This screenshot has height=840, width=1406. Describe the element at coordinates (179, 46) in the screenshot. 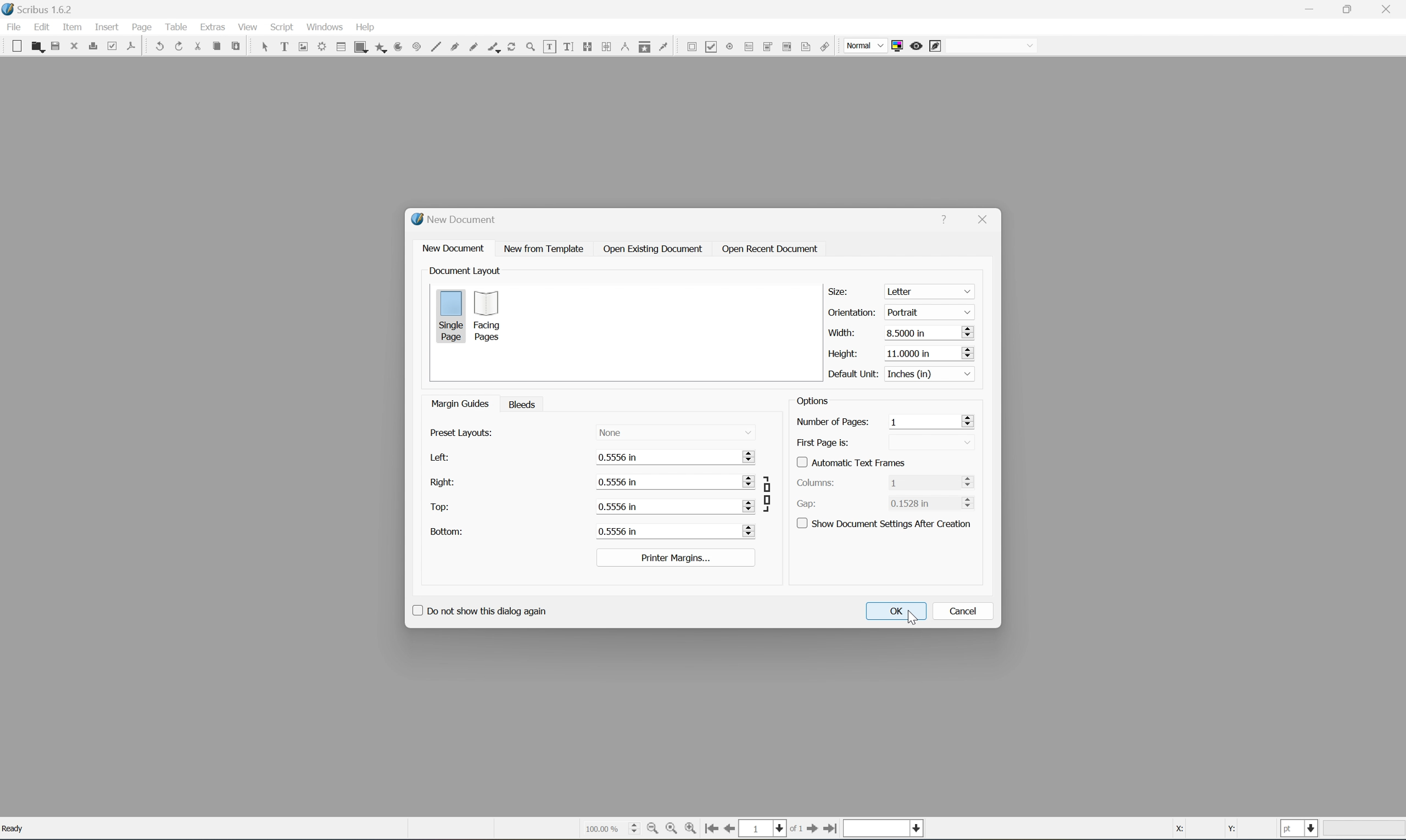

I see `redo` at that location.